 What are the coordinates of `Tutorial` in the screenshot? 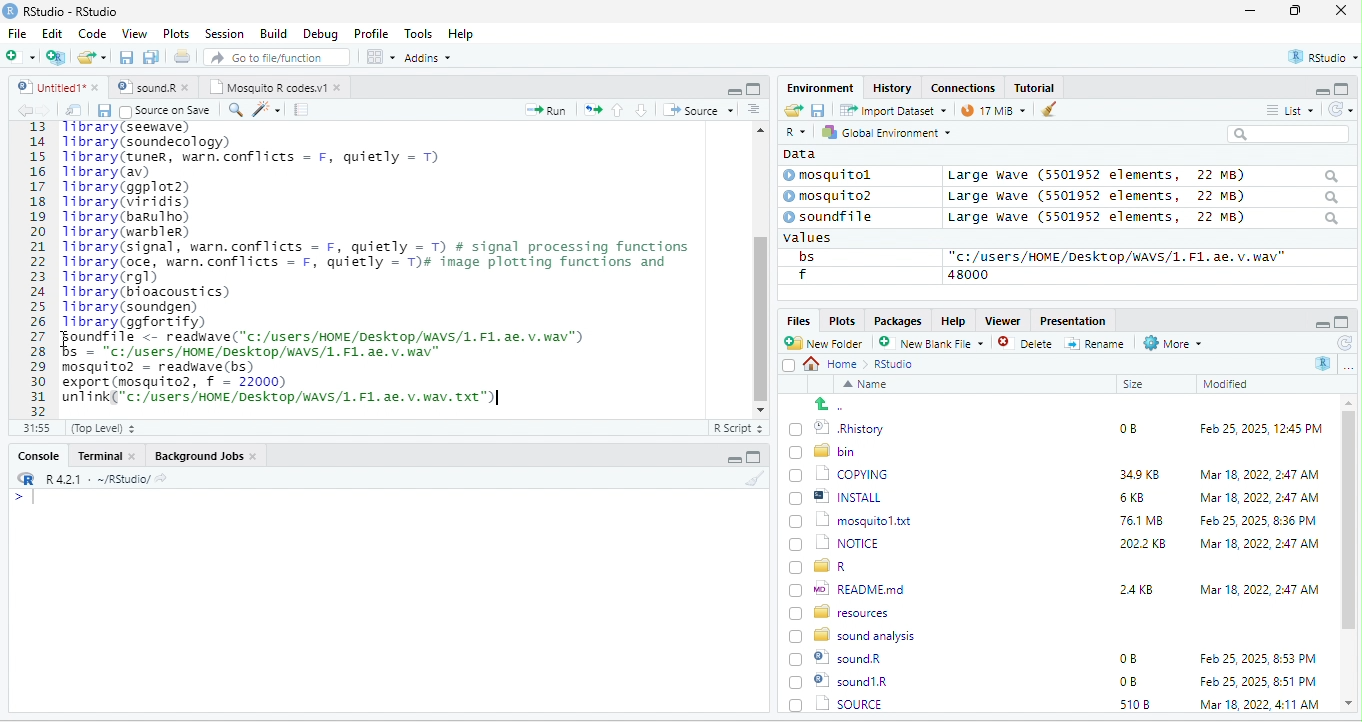 It's located at (1037, 87).